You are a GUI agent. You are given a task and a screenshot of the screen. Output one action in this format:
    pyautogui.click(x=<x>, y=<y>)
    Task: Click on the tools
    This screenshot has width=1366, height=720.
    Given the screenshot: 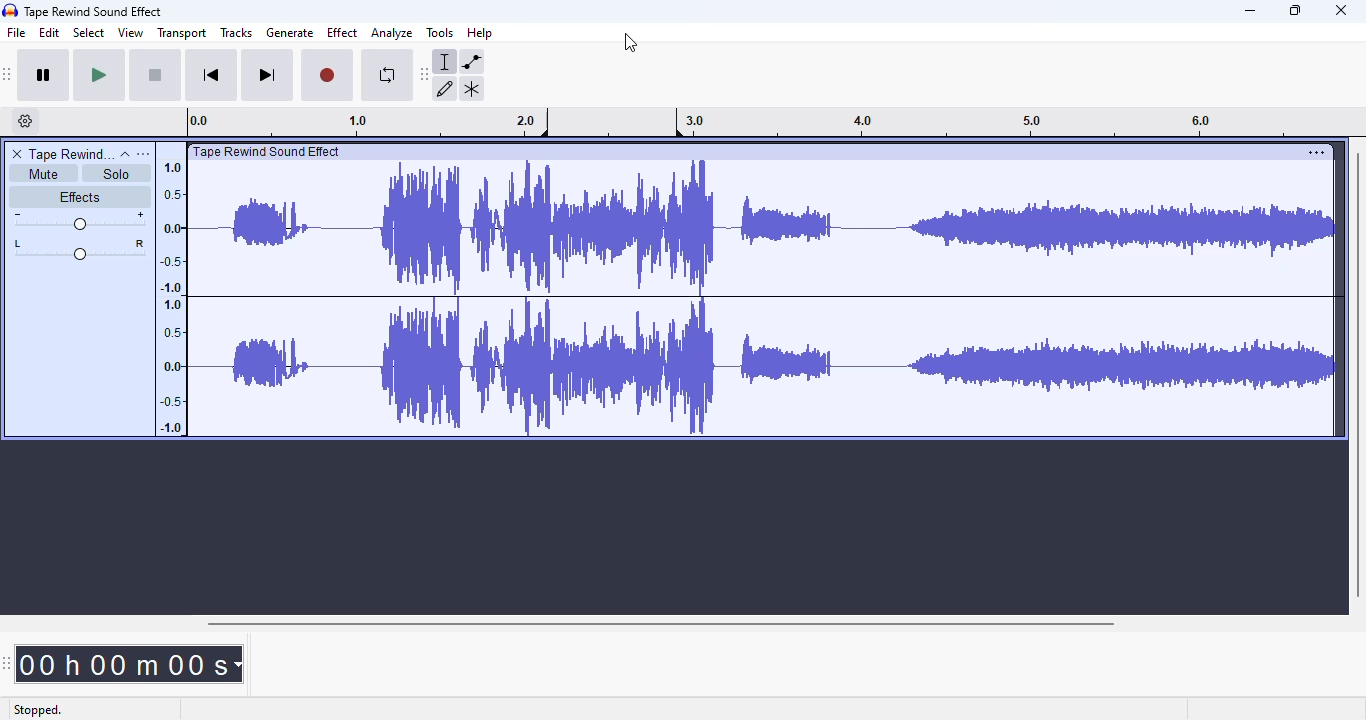 What is the action you would take?
    pyautogui.click(x=441, y=32)
    